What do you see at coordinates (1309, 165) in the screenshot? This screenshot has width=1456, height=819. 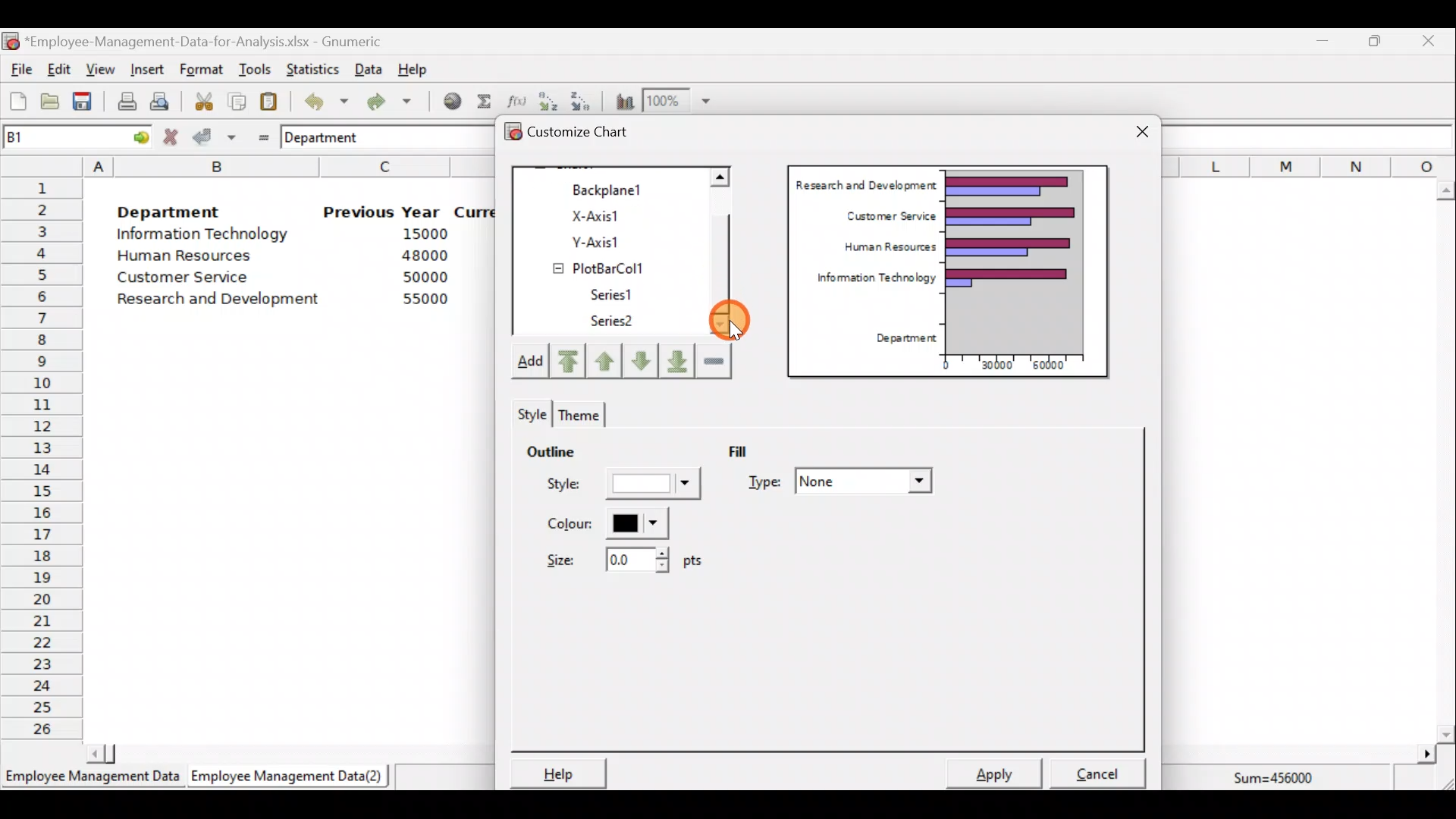 I see `Columns` at bounding box center [1309, 165].